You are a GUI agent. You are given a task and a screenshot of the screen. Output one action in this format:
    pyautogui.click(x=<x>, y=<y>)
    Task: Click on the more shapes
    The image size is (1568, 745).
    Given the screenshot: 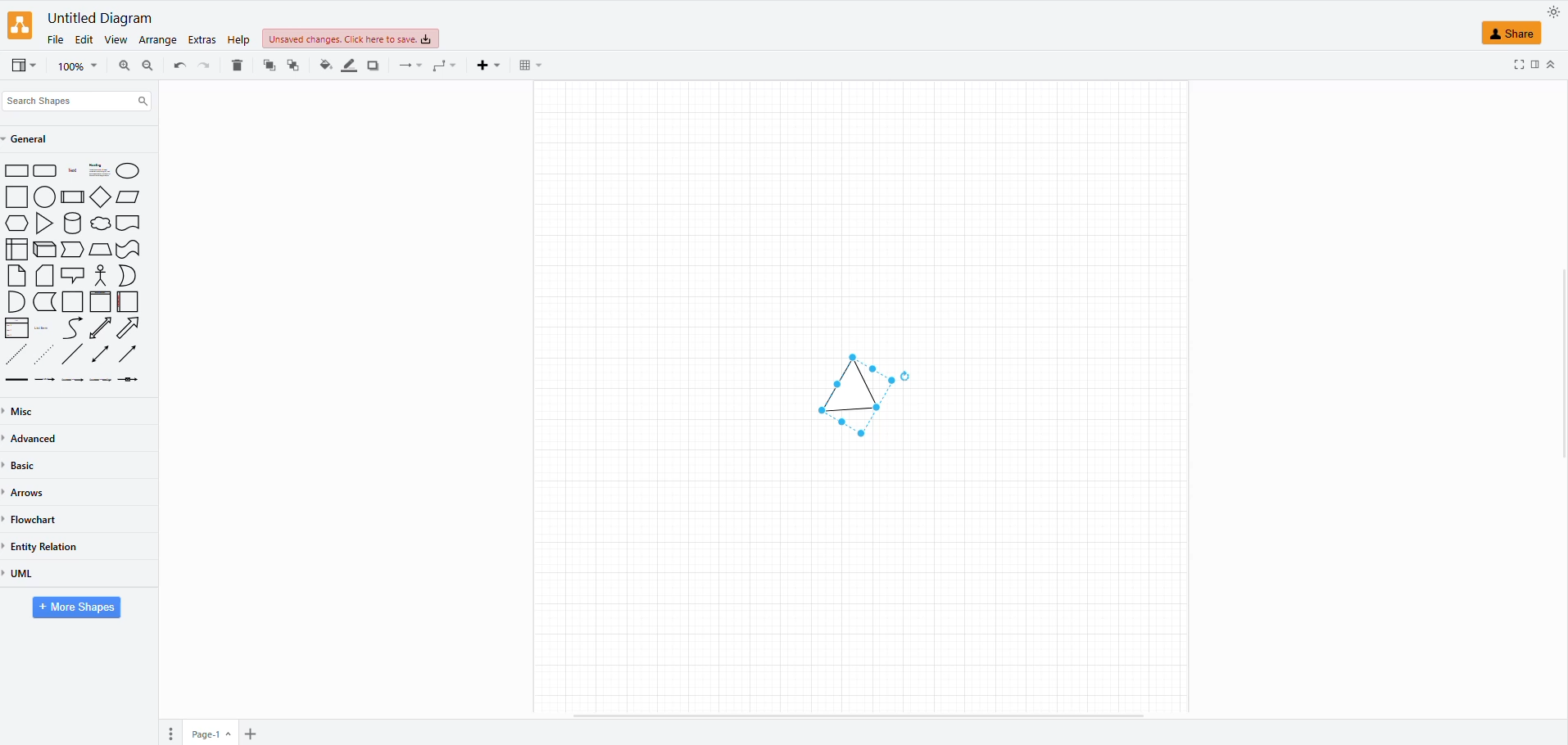 What is the action you would take?
    pyautogui.click(x=78, y=609)
    